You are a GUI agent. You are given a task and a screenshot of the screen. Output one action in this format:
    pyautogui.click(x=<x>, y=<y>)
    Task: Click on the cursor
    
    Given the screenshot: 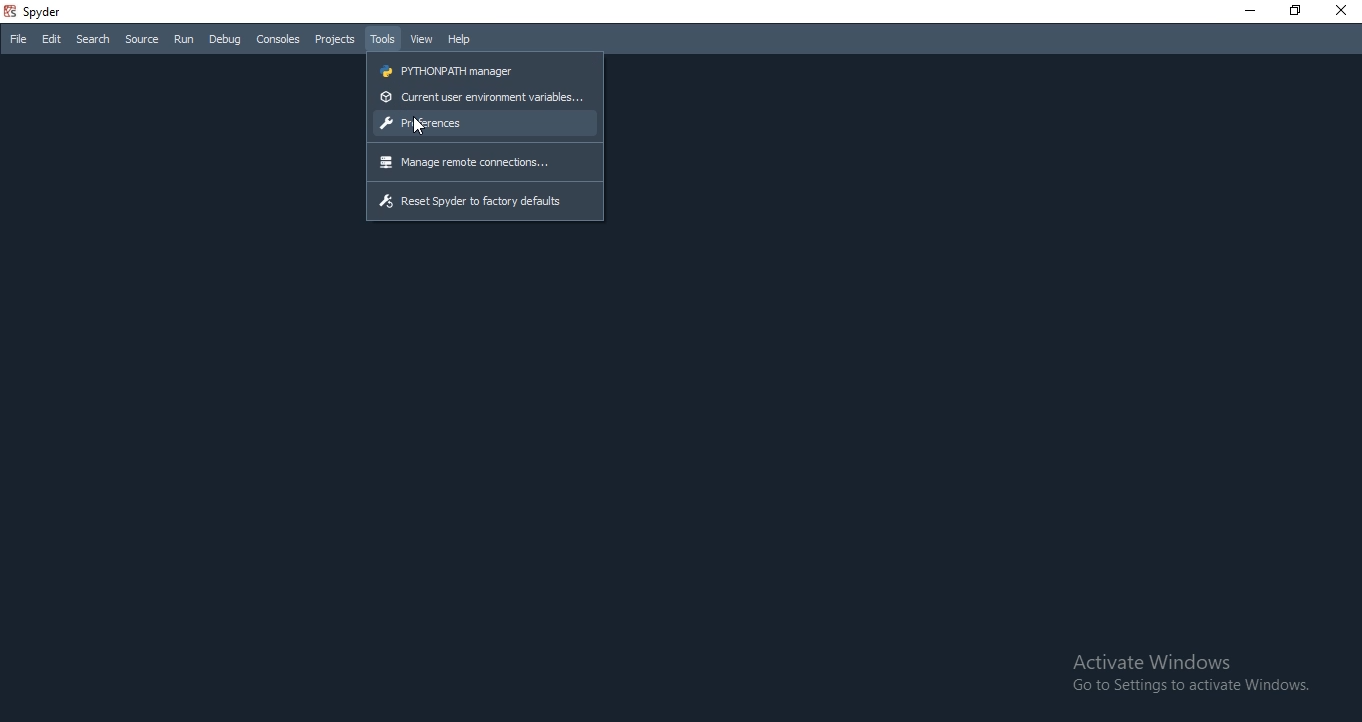 What is the action you would take?
    pyautogui.click(x=421, y=124)
    